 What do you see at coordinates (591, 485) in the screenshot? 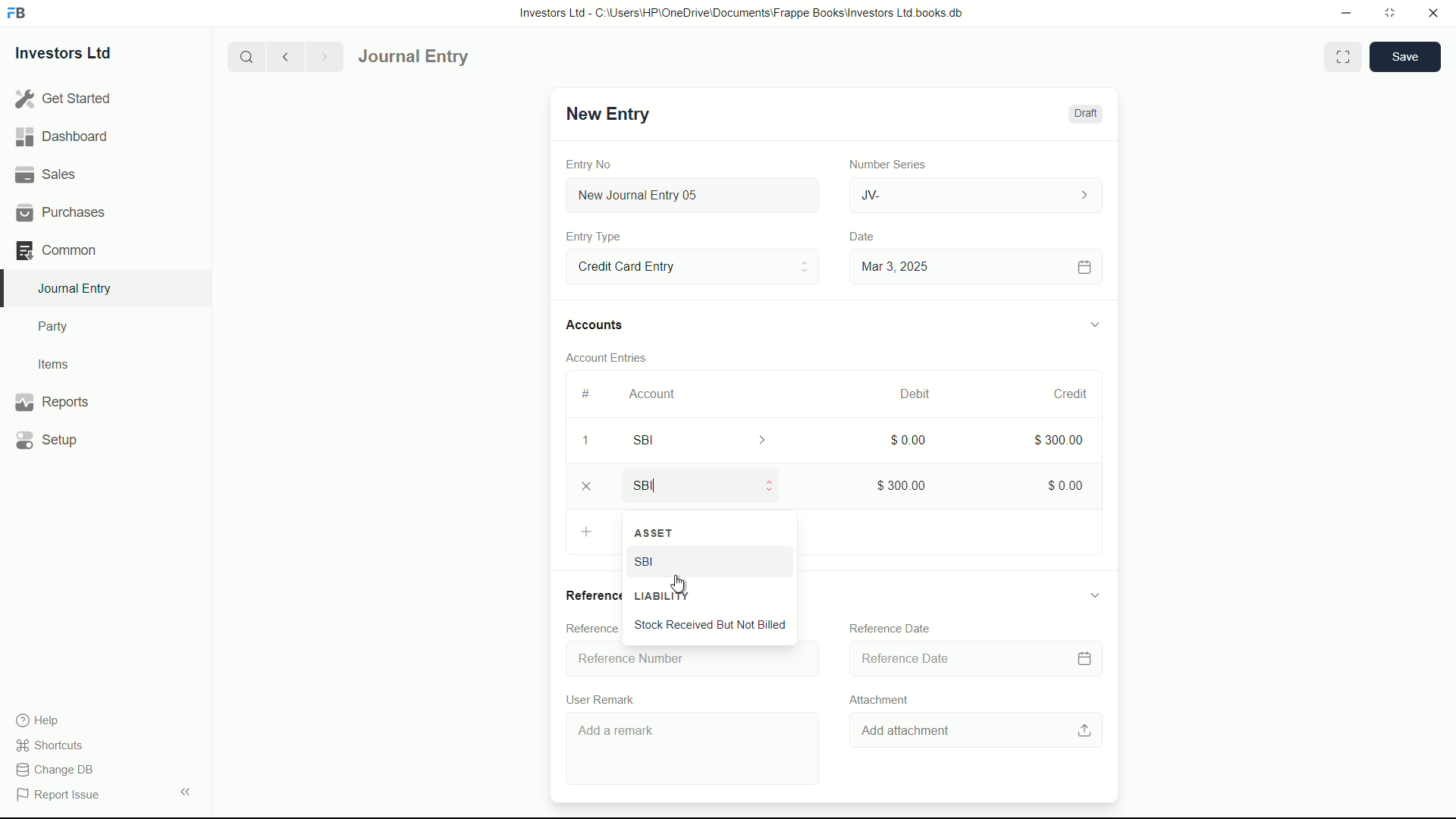
I see `close` at bounding box center [591, 485].